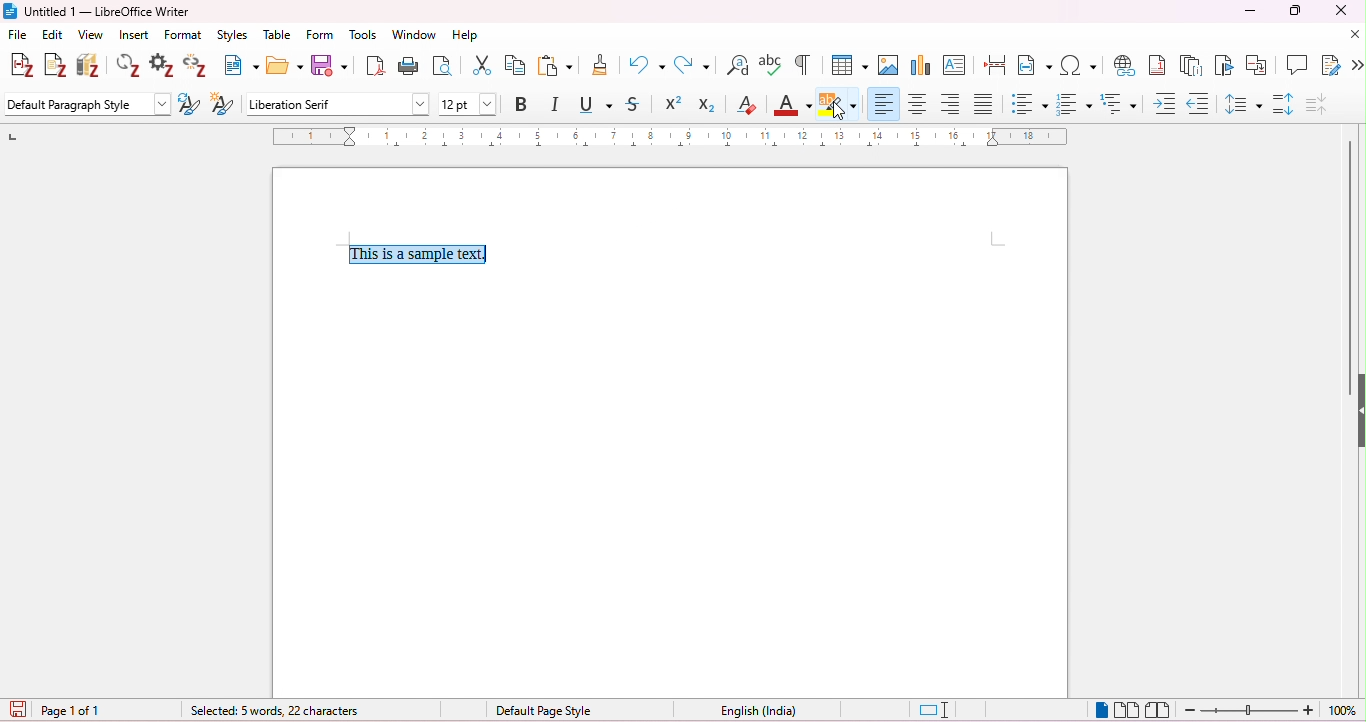 The height and width of the screenshot is (722, 1366). Describe the element at coordinates (416, 36) in the screenshot. I see `window` at that location.